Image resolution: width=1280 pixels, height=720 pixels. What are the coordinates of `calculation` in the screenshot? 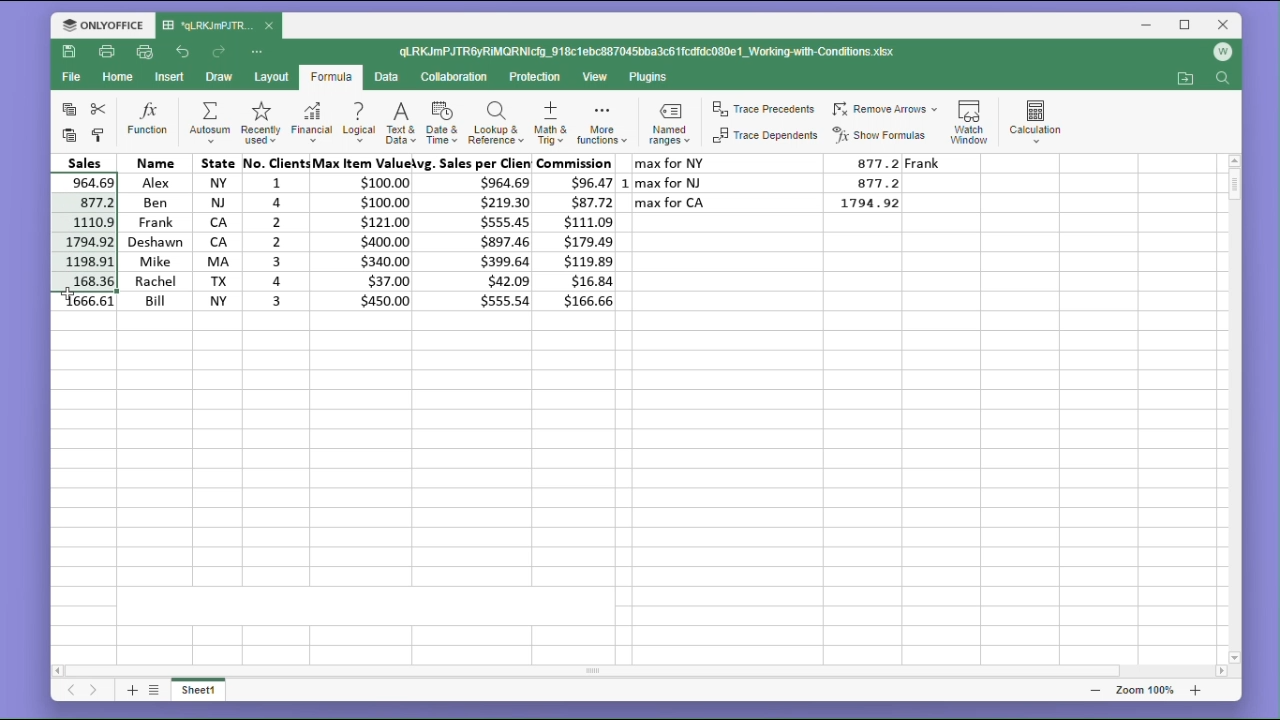 It's located at (1041, 118).